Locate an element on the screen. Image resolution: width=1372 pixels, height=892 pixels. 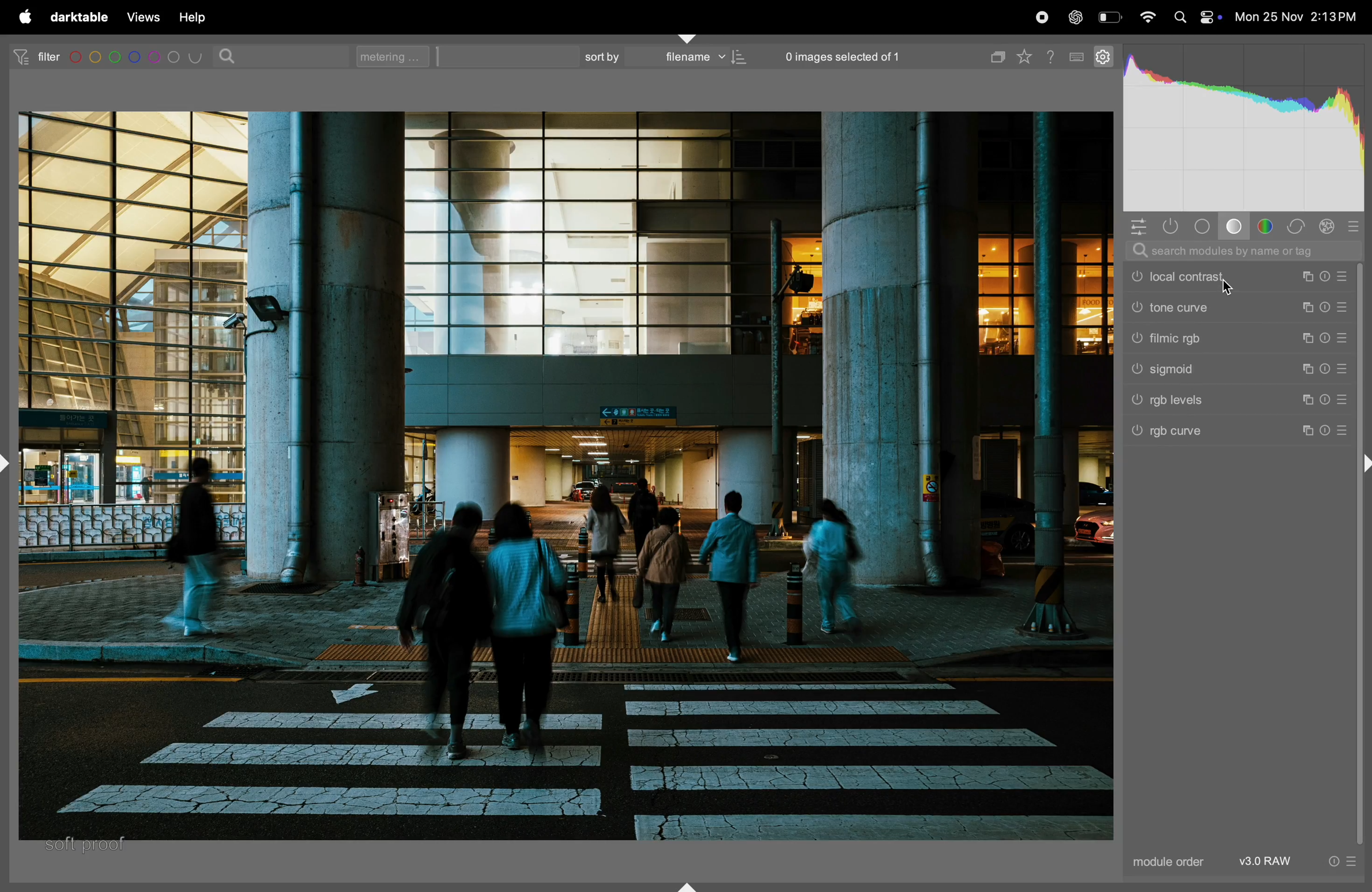
tone curve switched off is located at coordinates (1137, 308).